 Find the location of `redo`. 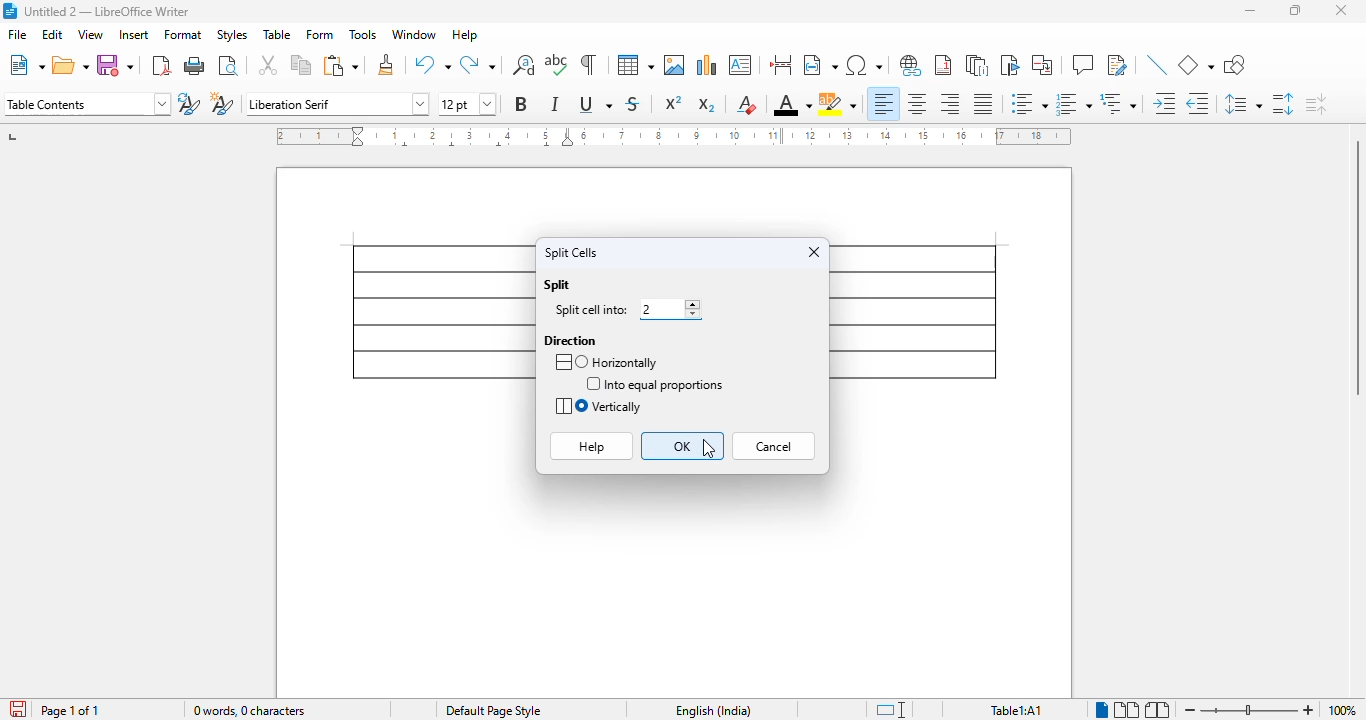

redo is located at coordinates (477, 64).